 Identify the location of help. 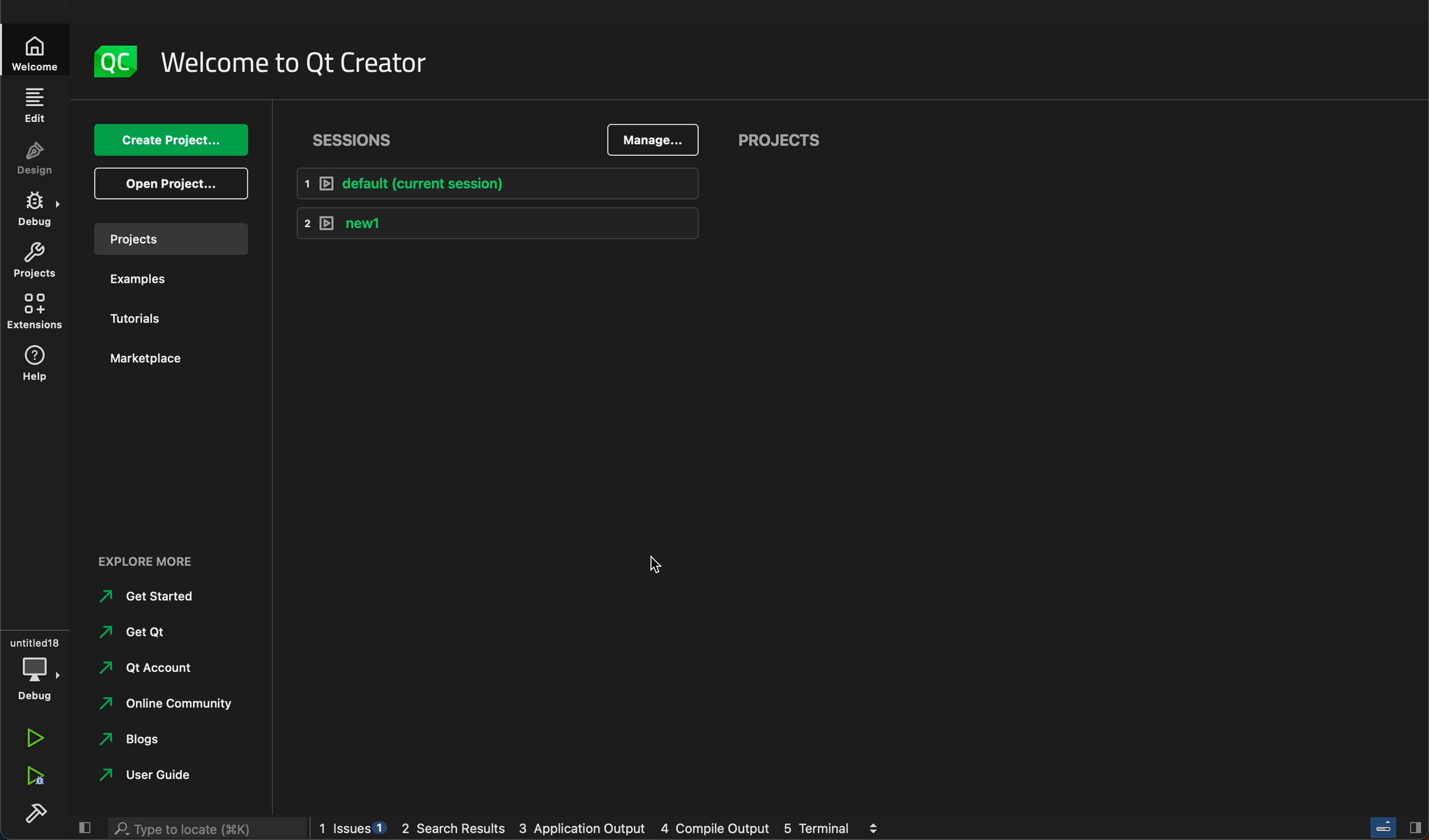
(39, 363).